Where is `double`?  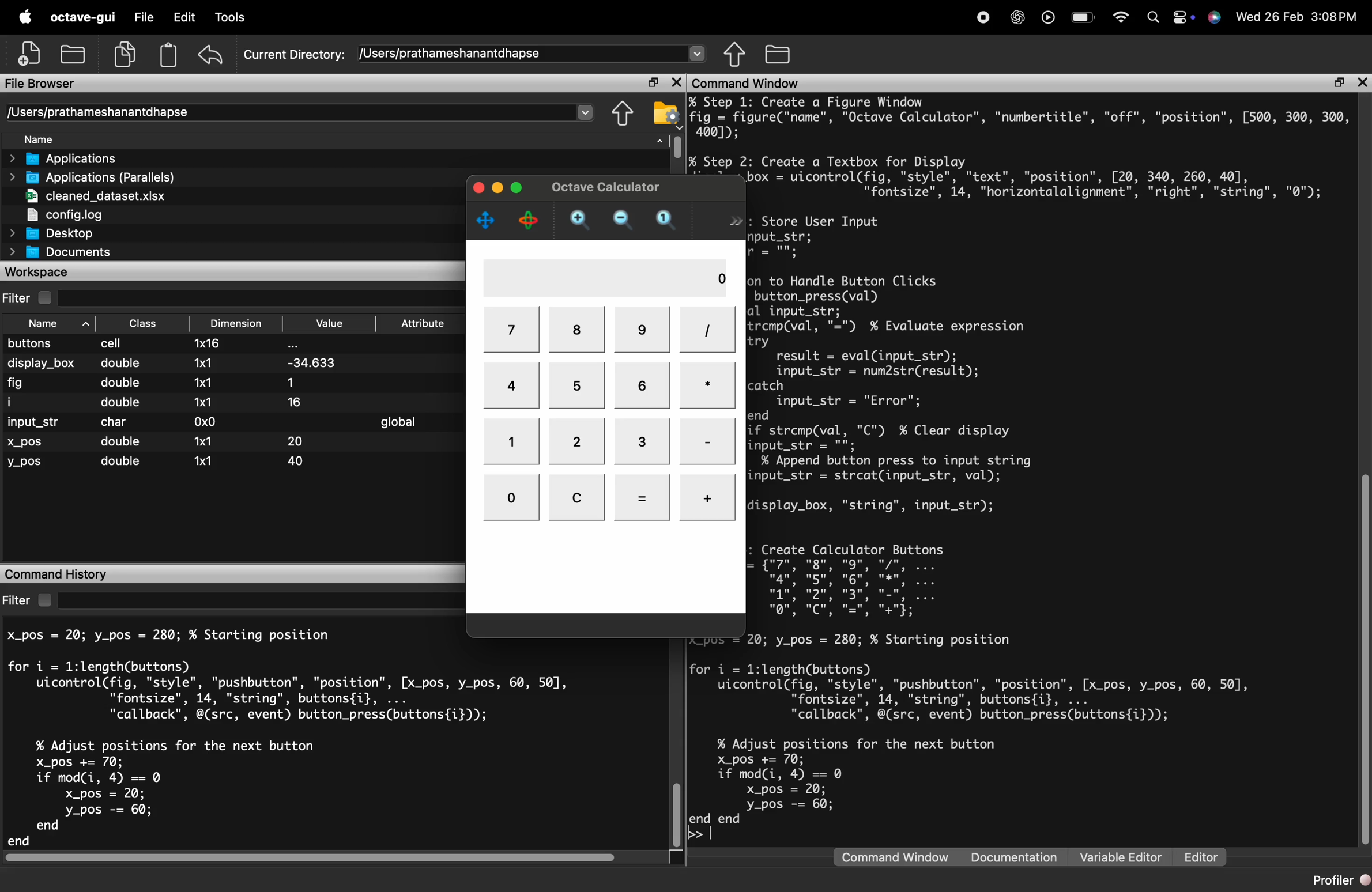
double is located at coordinates (120, 382).